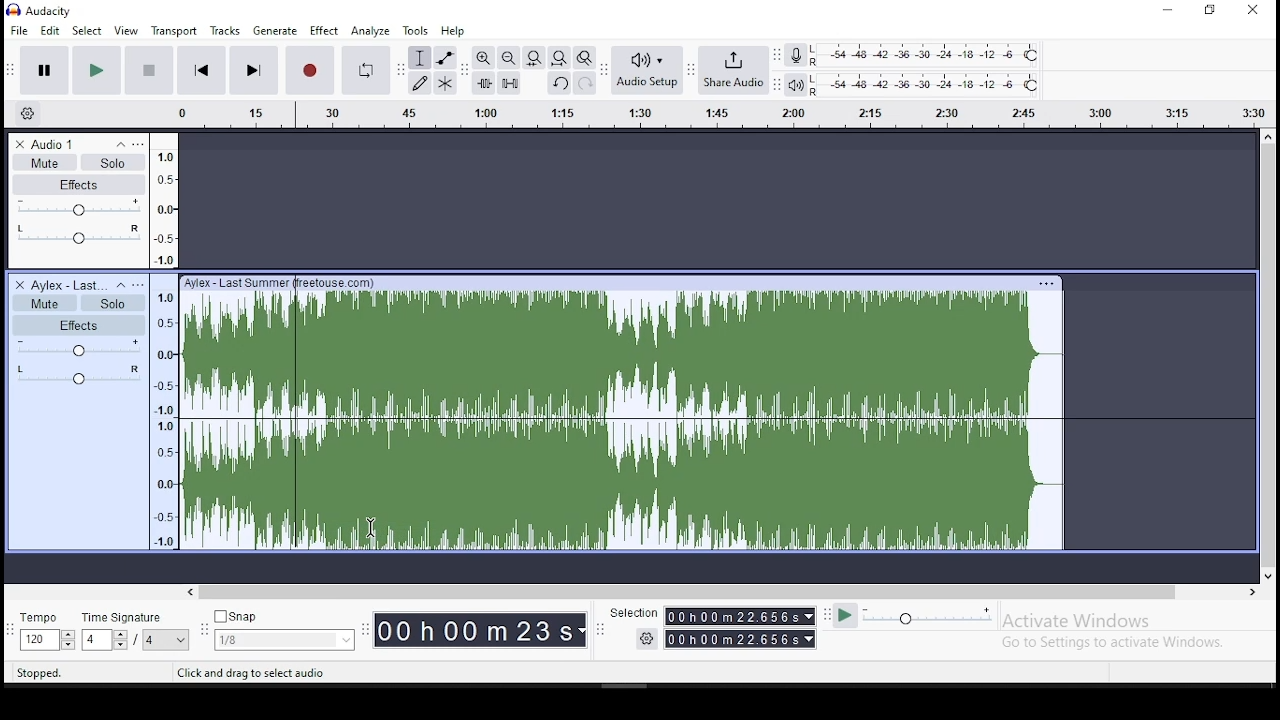 The image size is (1280, 720). What do you see at coordinates (113, 161) in the screenshot?
I see `solo` at bounding box center [113, 161].